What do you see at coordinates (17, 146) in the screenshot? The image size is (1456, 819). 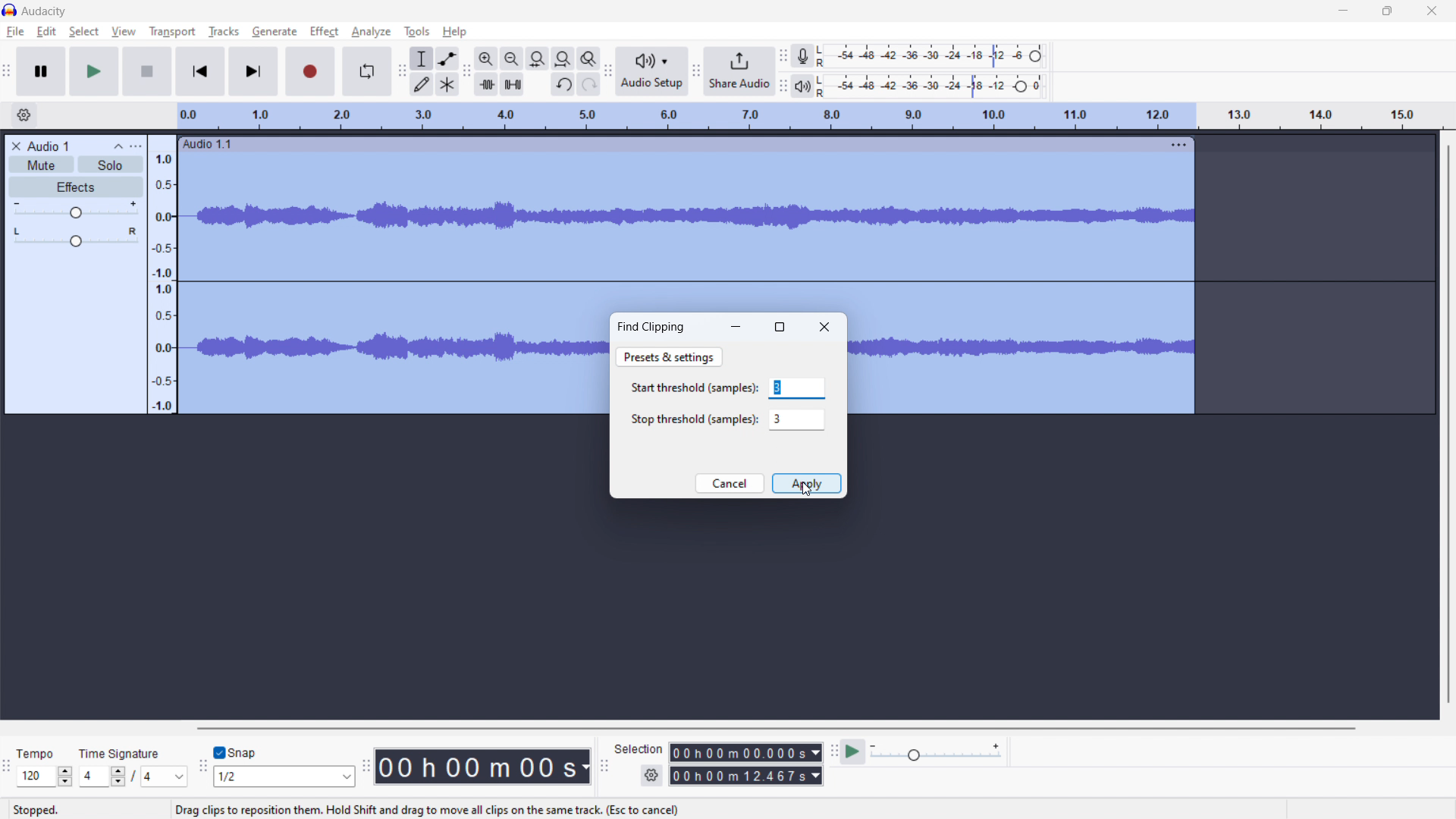 I see `delete recording` at bounding box center [17, 146].